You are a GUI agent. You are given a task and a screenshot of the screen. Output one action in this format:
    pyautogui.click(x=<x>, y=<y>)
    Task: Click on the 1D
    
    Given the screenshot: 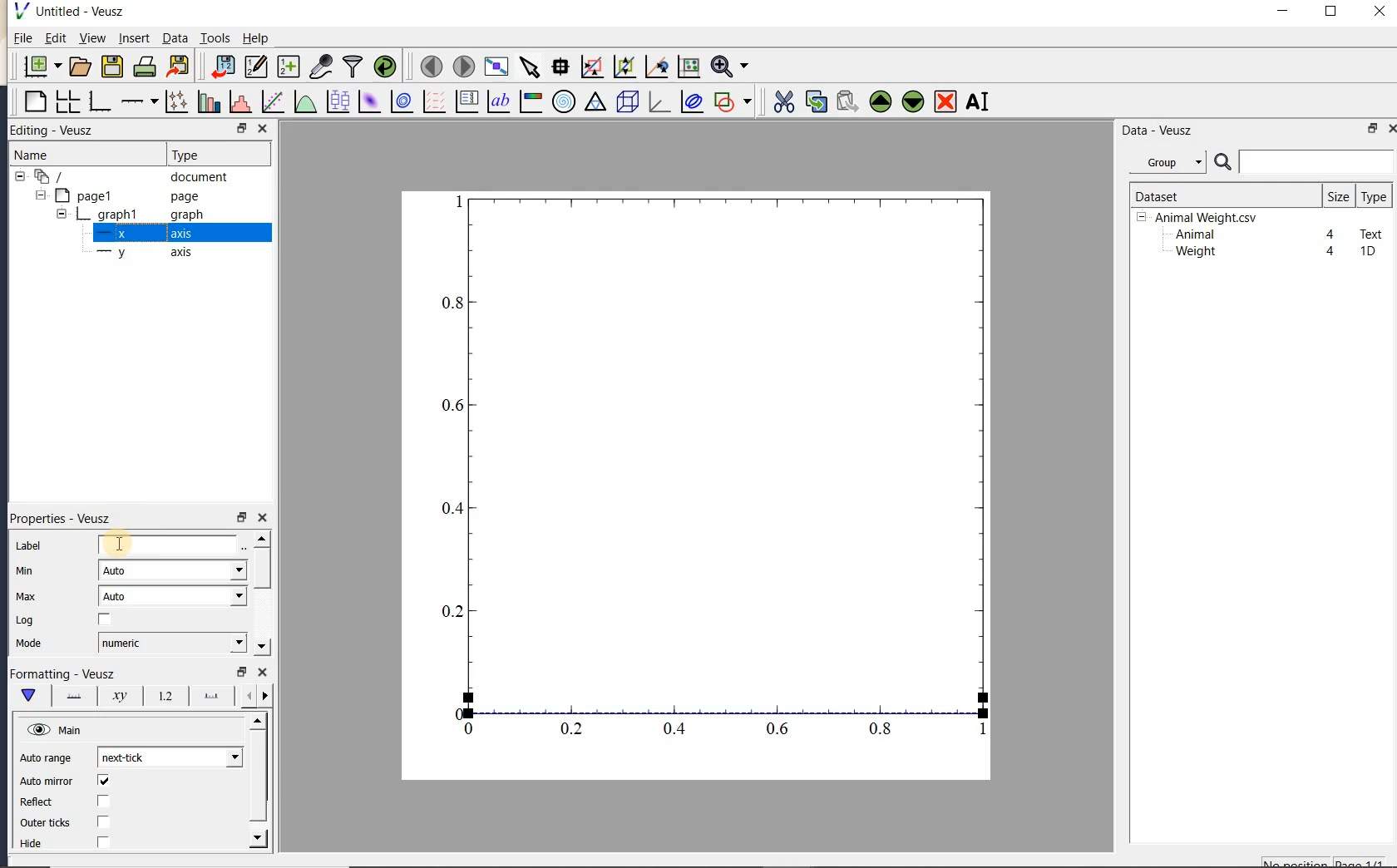 What is the action you would take?
    pyautogui.click(x=1367, y=251)
    